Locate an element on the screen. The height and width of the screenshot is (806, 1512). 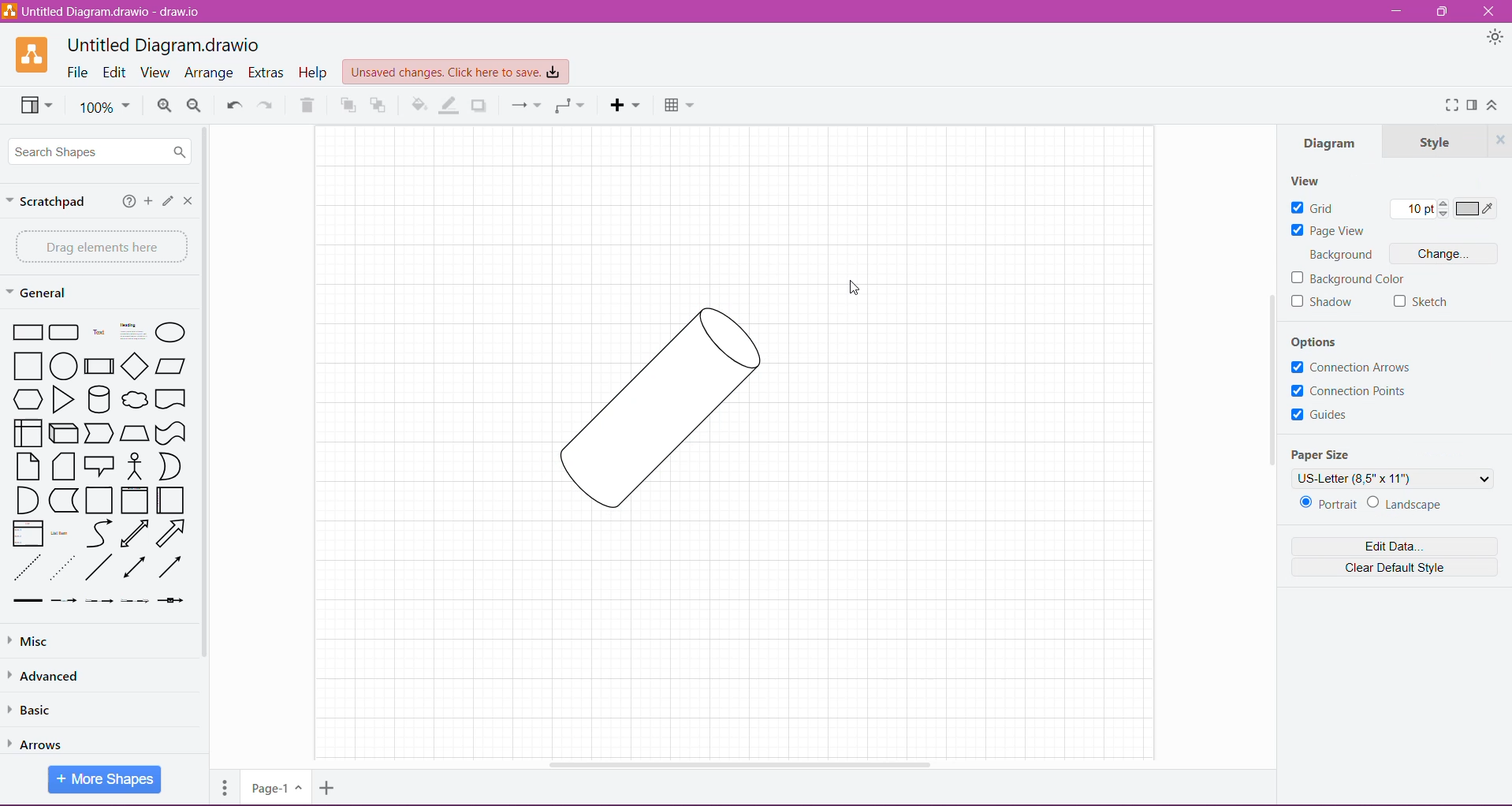
Style is located at coordinates (1431, 142).